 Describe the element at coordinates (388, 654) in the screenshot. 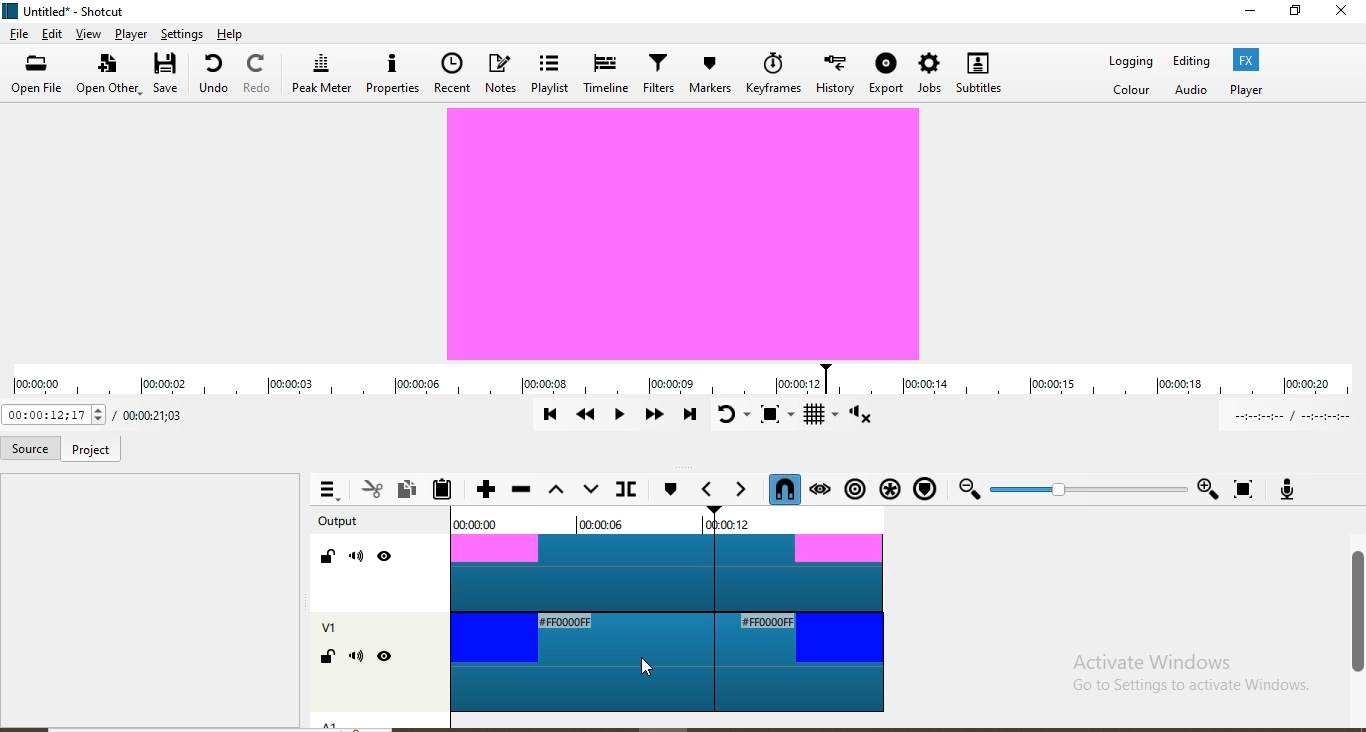

I see `Hide` at that location.